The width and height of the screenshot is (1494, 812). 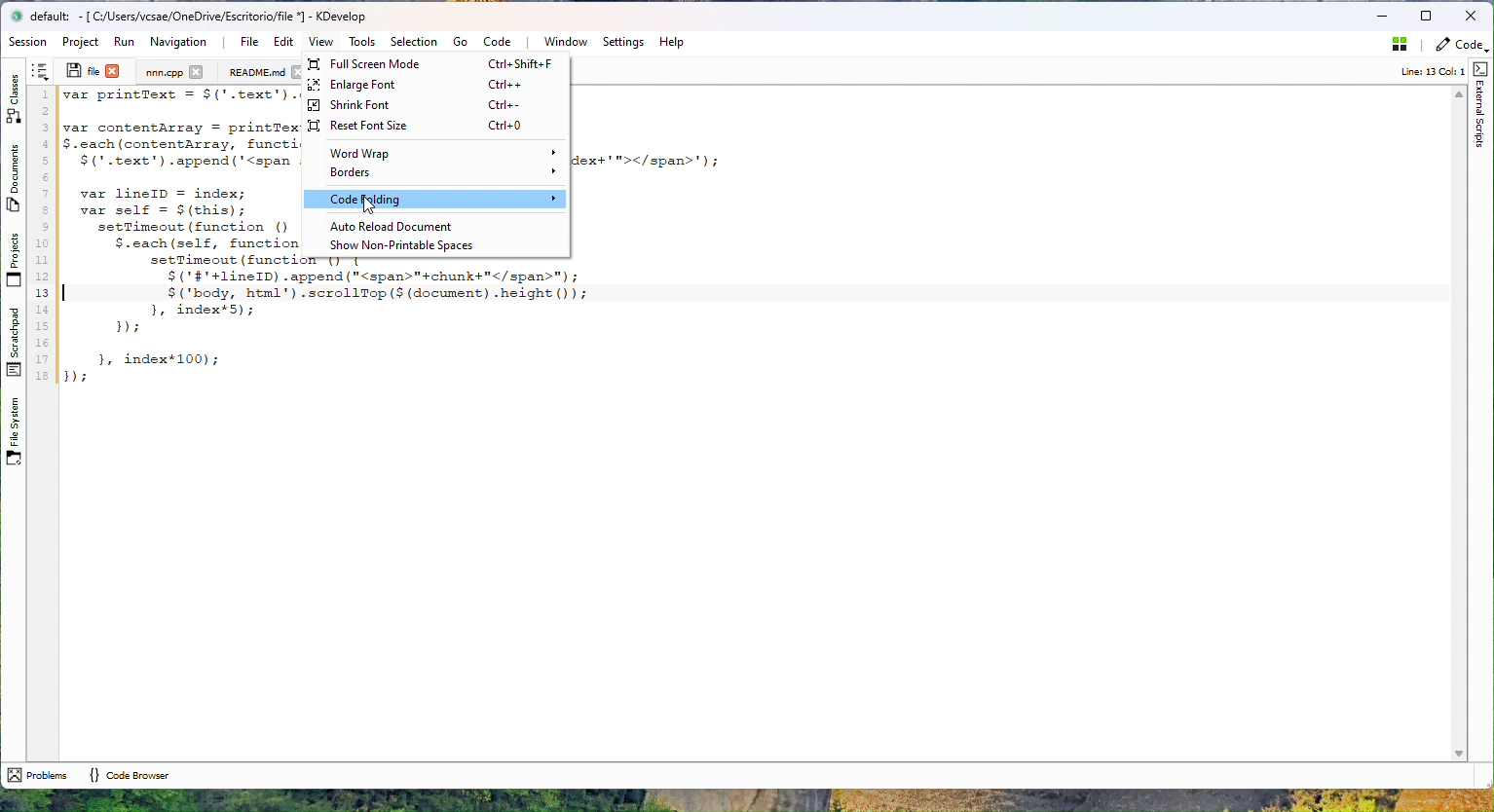 What do you see at coordinates (40, 71) in the screenshot?
I see `Show sorted list` at bounding box center [40, 71].